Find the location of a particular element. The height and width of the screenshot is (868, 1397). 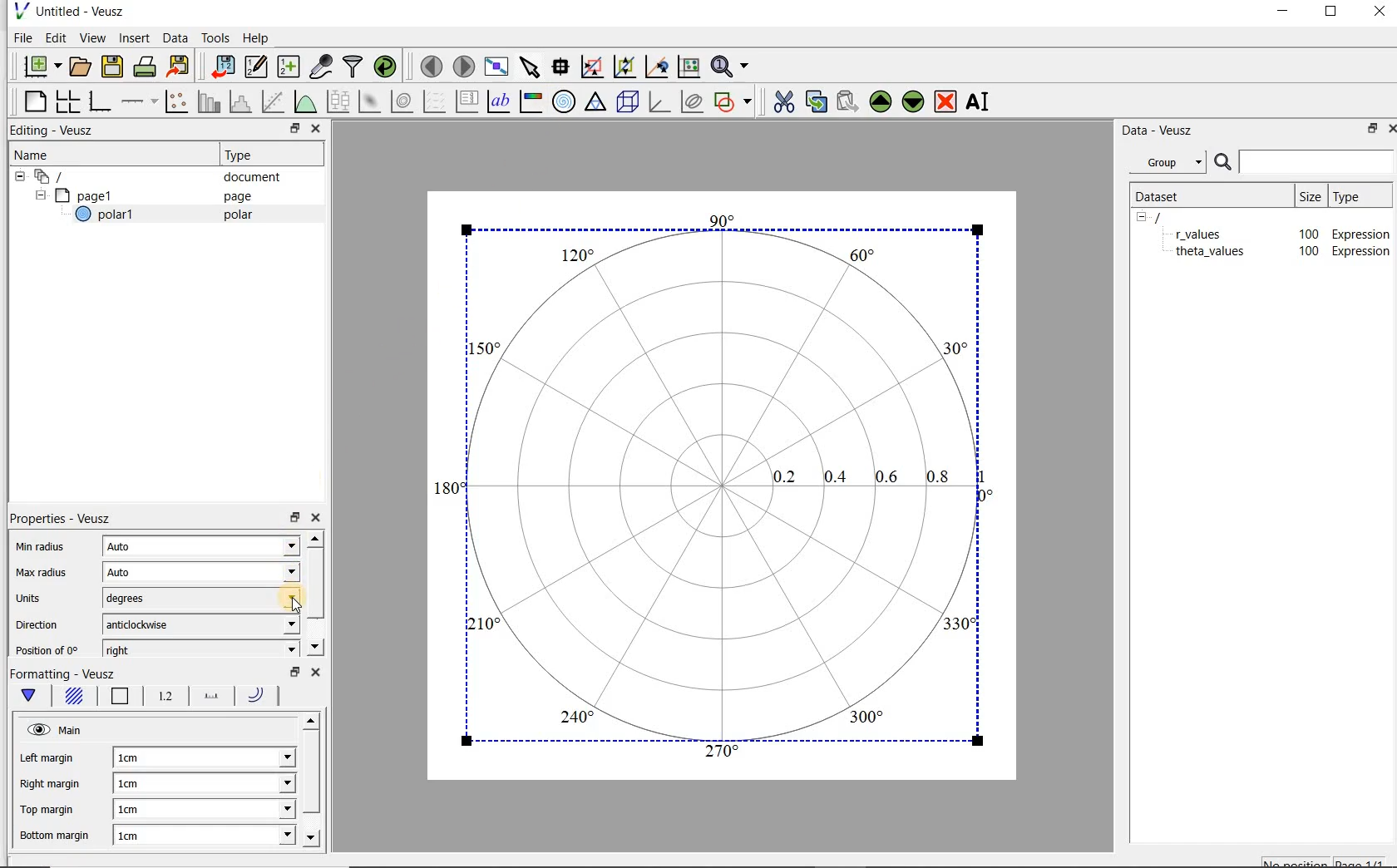

Search bar is located at coordinates (1305, 160).